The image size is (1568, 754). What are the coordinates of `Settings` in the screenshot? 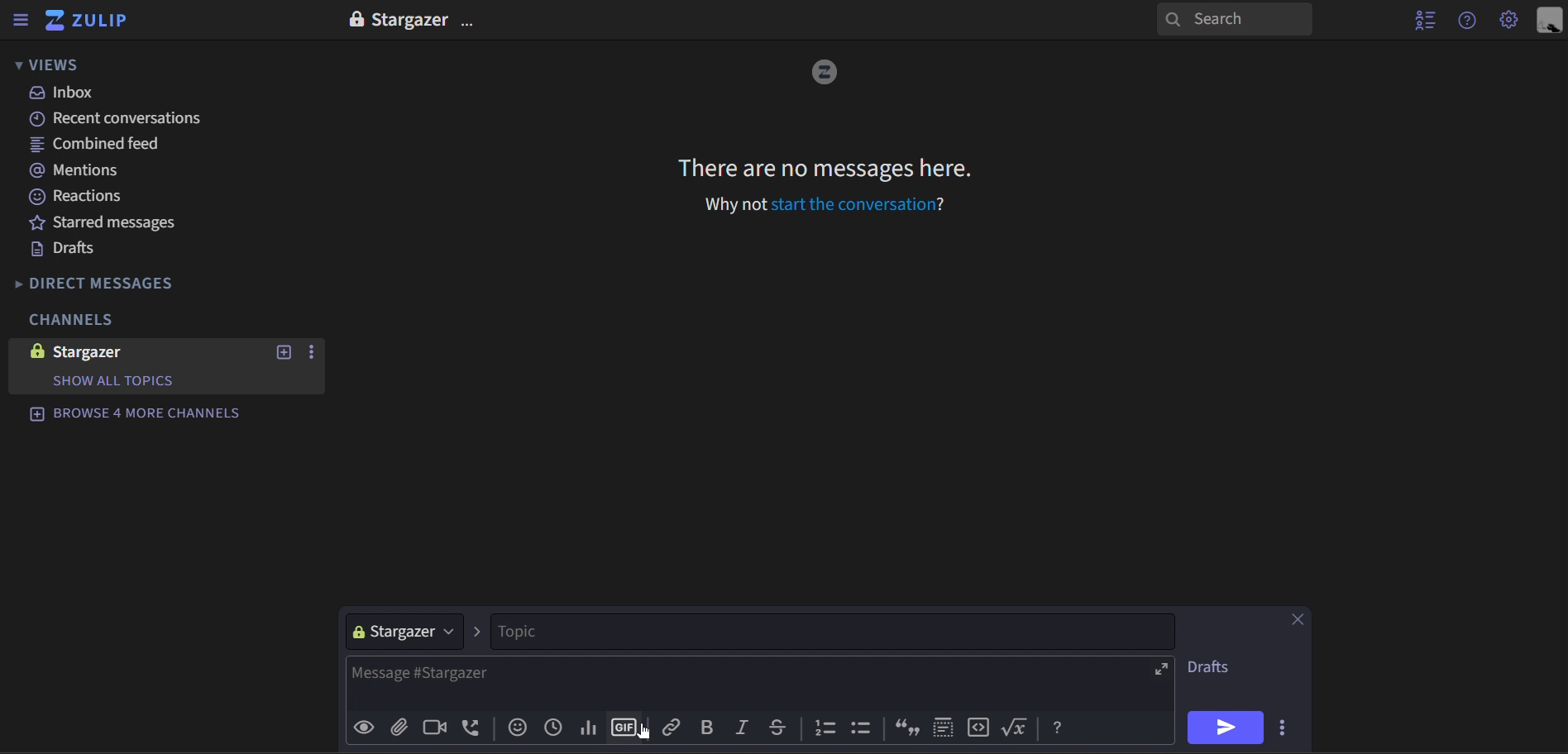 It's located at (1508, 21).